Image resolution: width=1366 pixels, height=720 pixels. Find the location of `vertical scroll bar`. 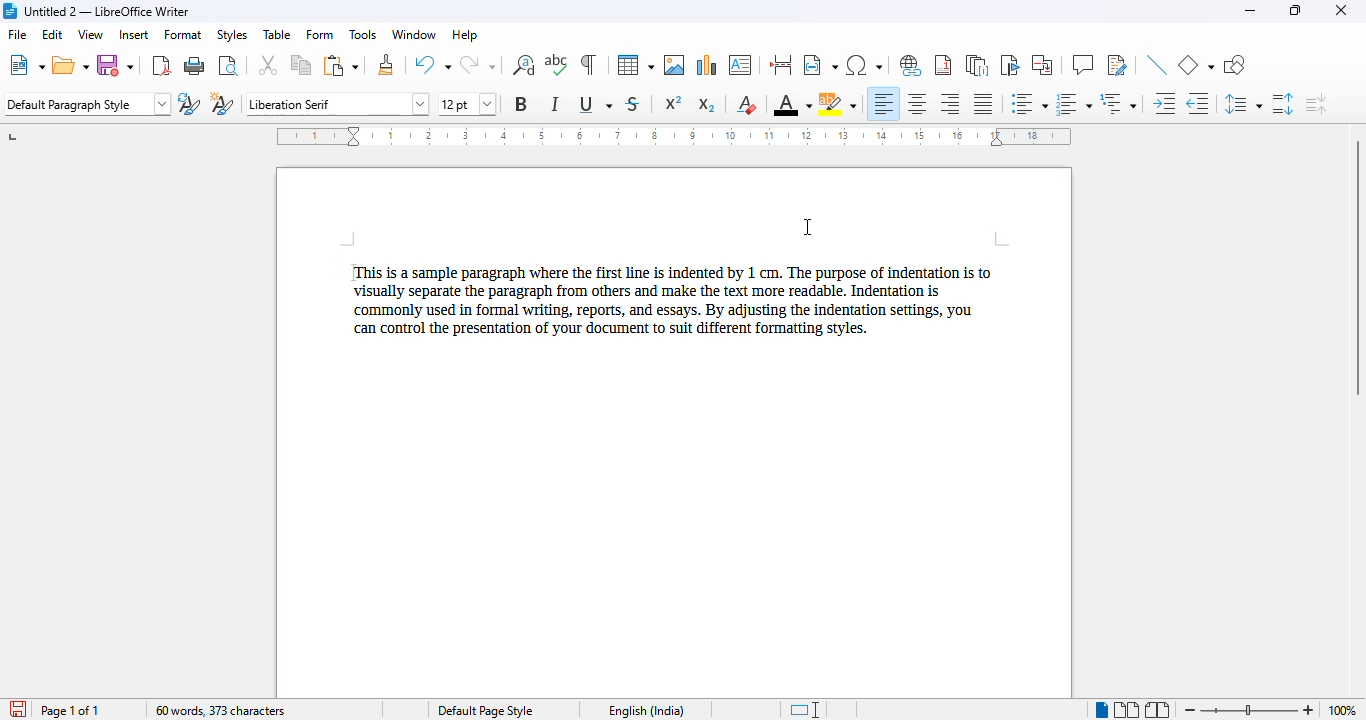

vertical scroll bar is located at coordinates (1357, 267).